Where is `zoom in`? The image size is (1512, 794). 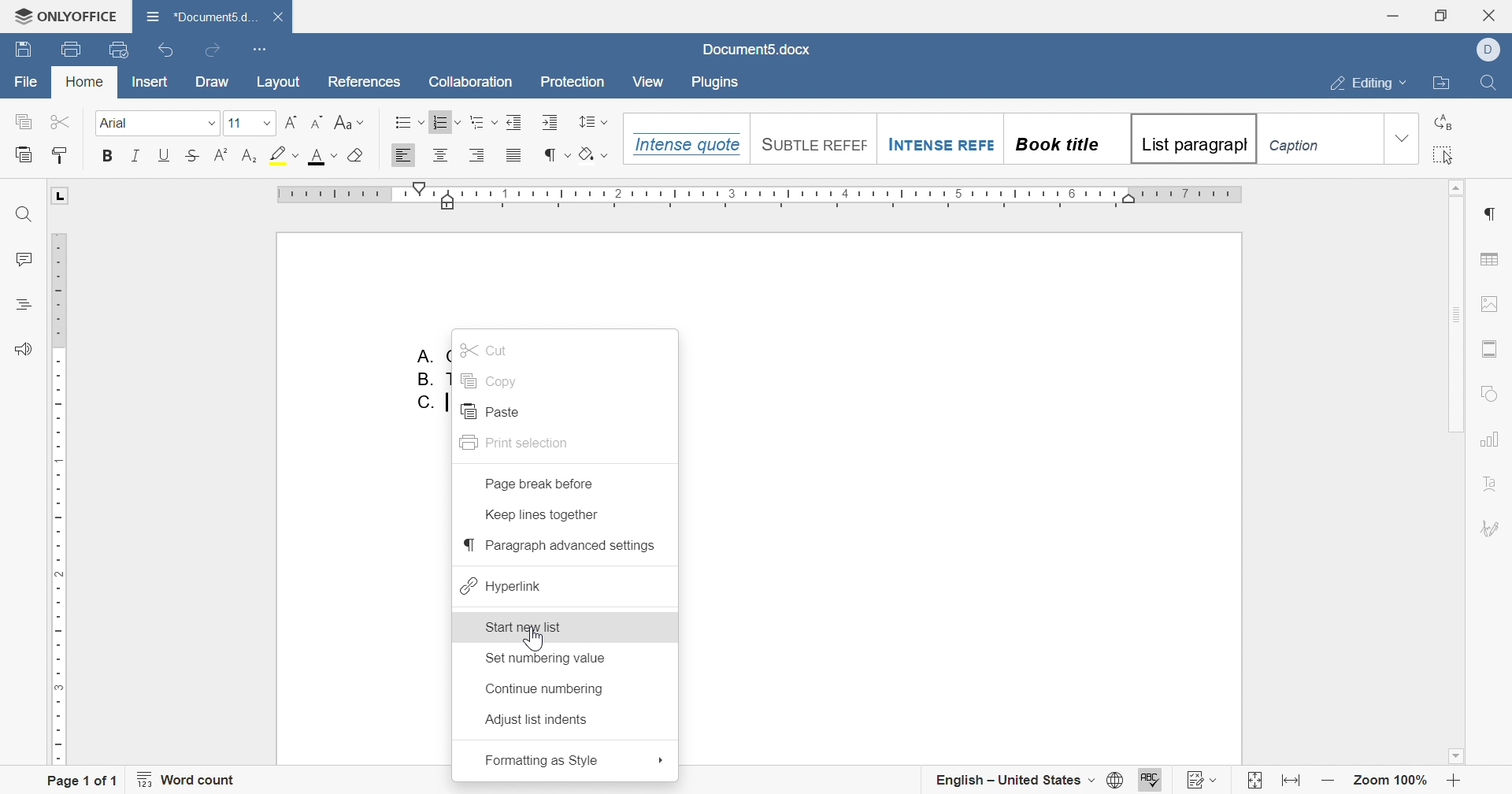
zoom in is located at coordinates (1455, 783).